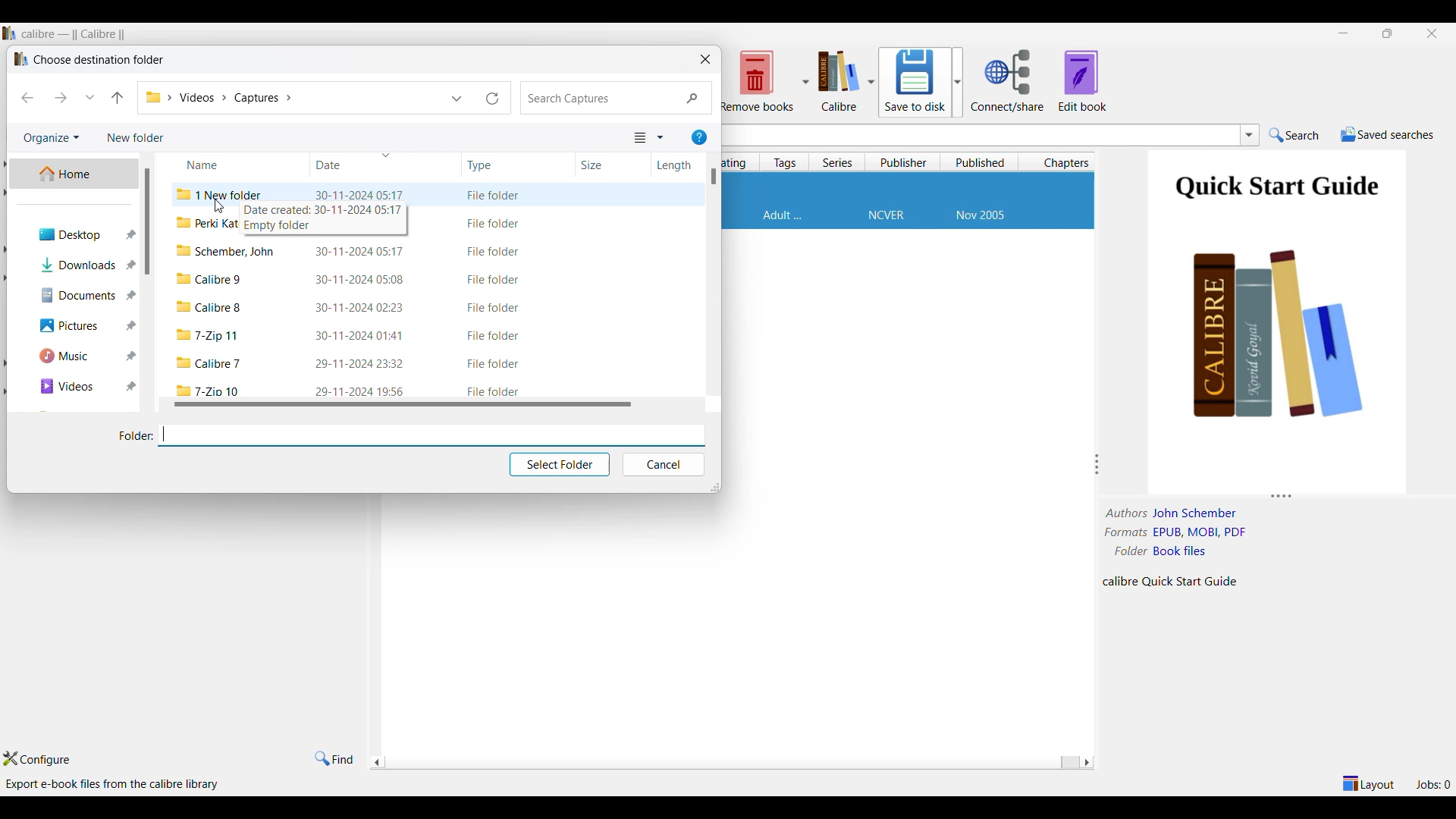 The width and height of the screenshot is (1456, 819). What do you see at coordinates (981, 216) in the screenshot?
I see `Publish date` at bounding box center [981, 216].